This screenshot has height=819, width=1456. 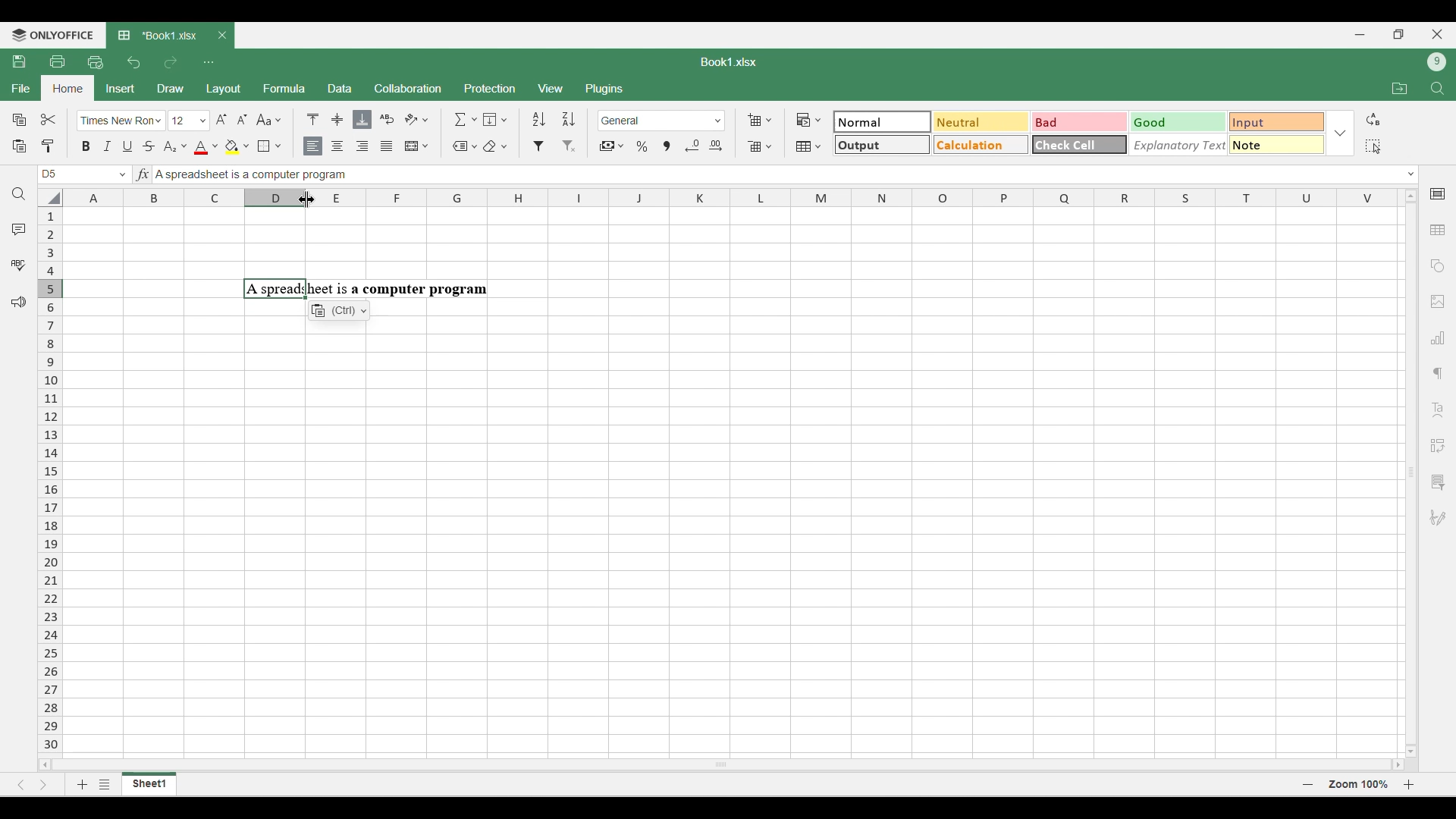 I want to click on Find, so click(x=1439, y=89).